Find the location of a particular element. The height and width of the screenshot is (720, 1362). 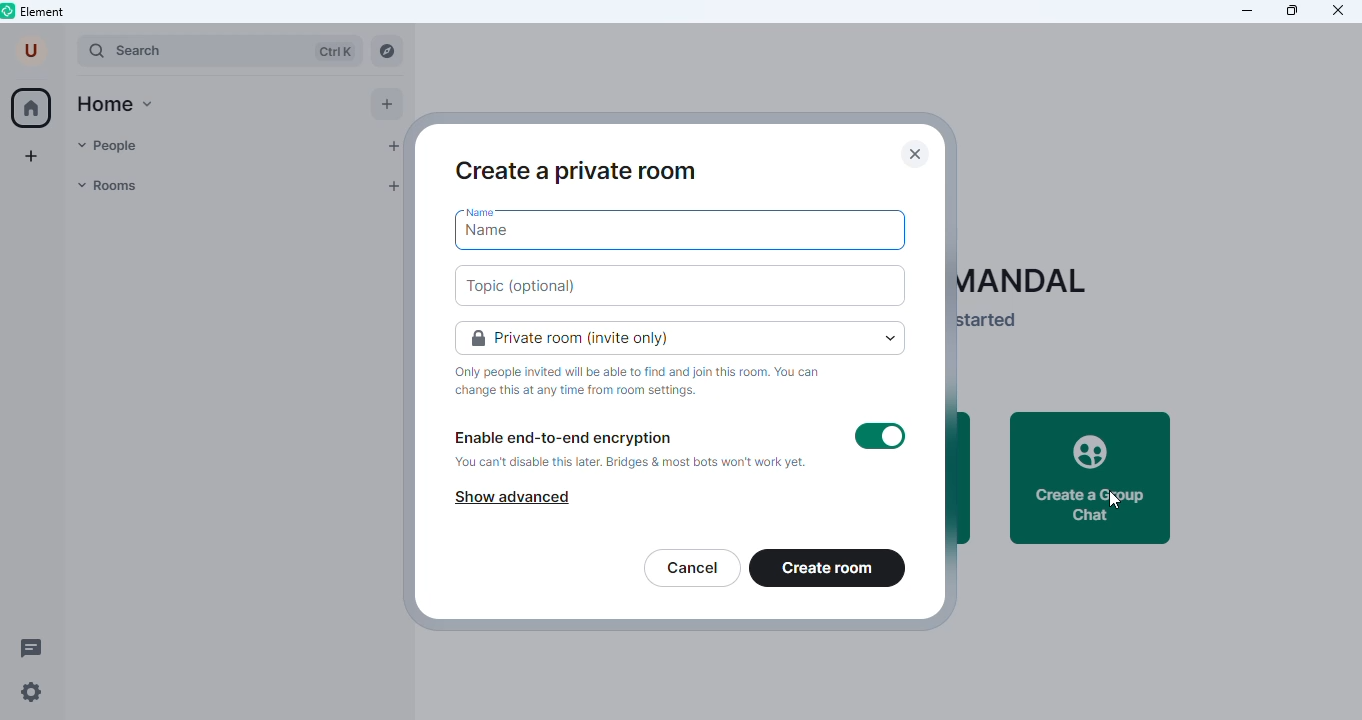

cancel is located at coordinates (693, 569).